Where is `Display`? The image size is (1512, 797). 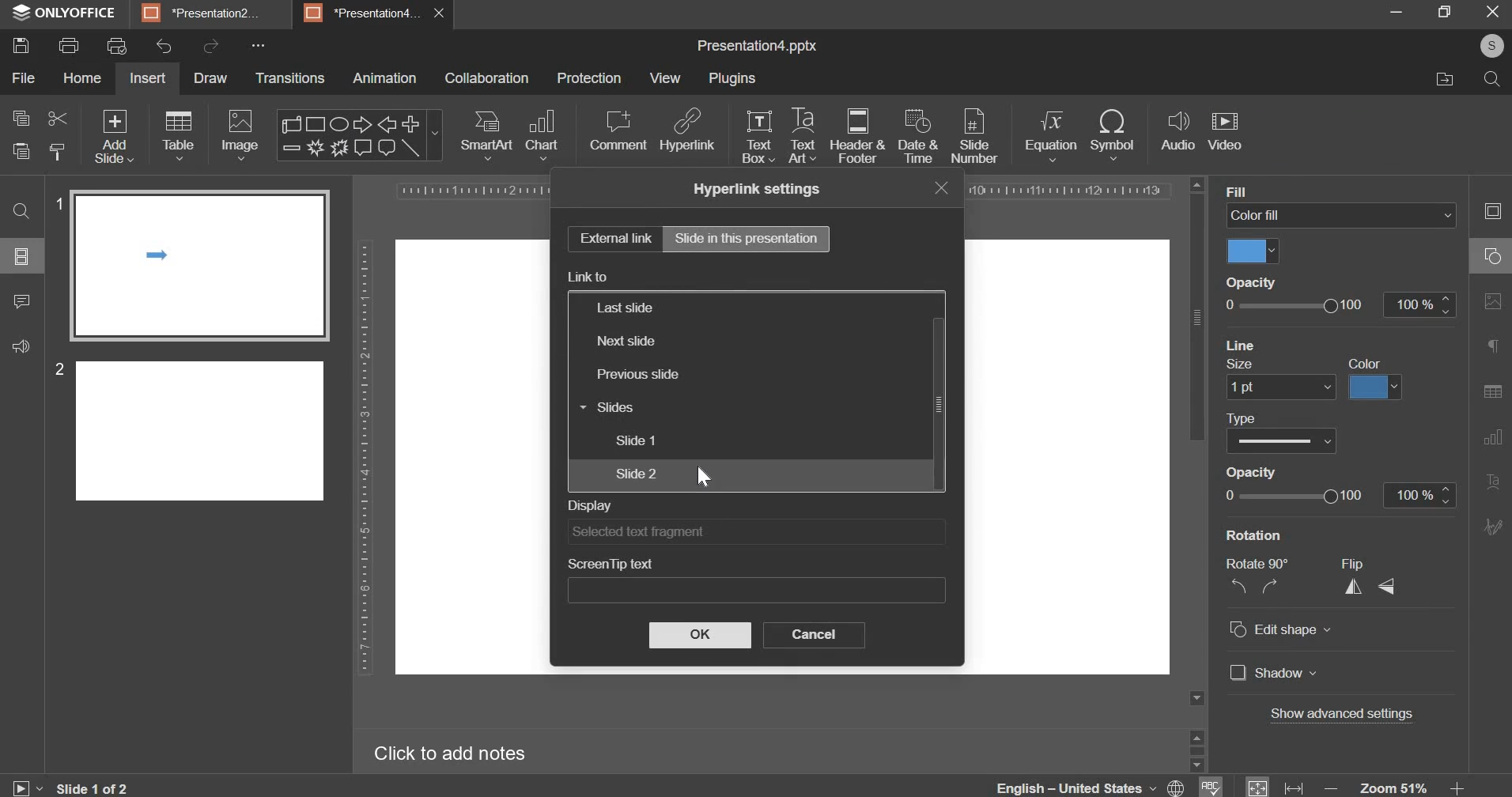 Display is located at coordinates (627, 278).